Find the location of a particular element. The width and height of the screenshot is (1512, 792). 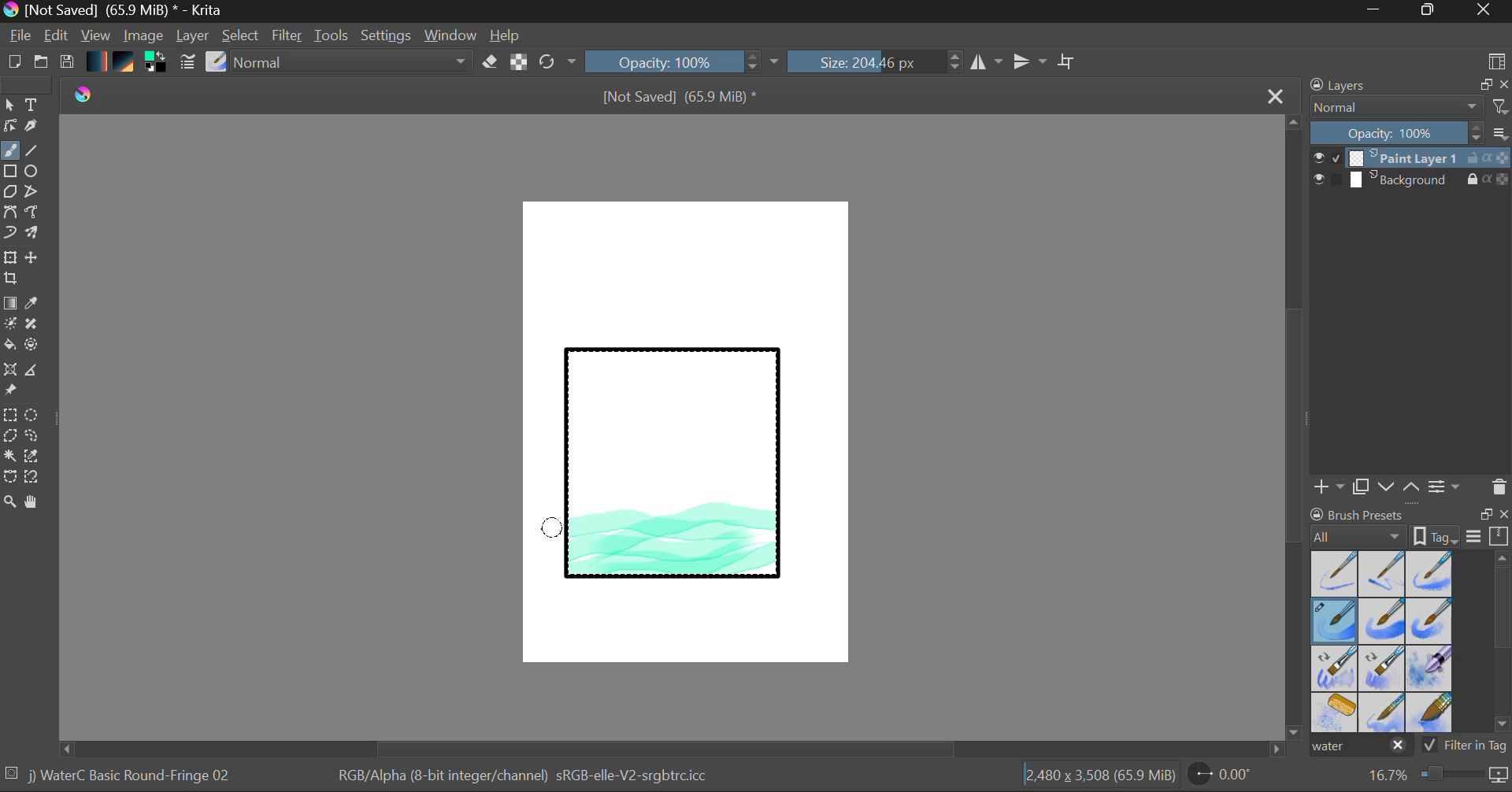

New is located at coordinates (13, 64).